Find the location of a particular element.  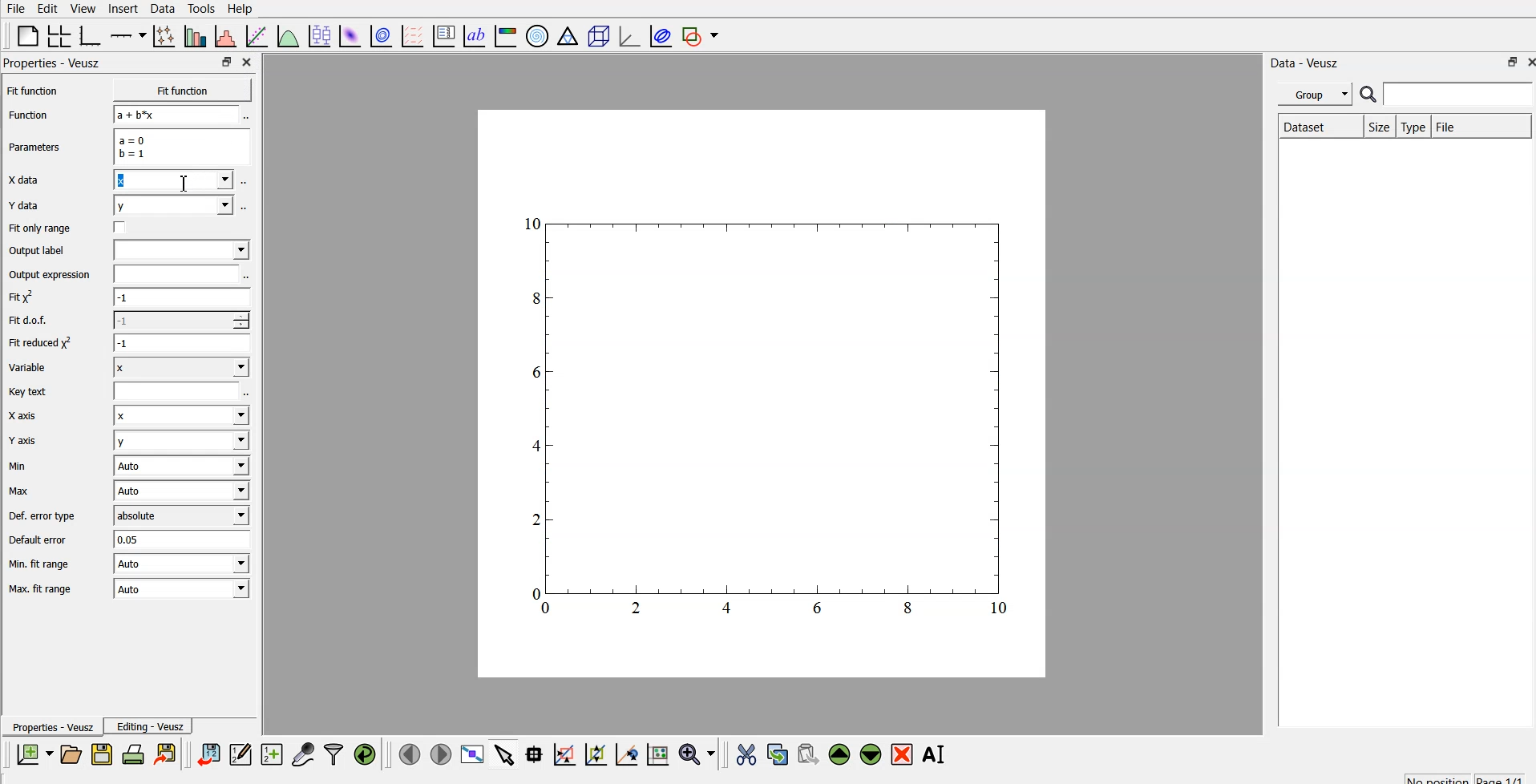

1 is located at coordinates (180, 345).